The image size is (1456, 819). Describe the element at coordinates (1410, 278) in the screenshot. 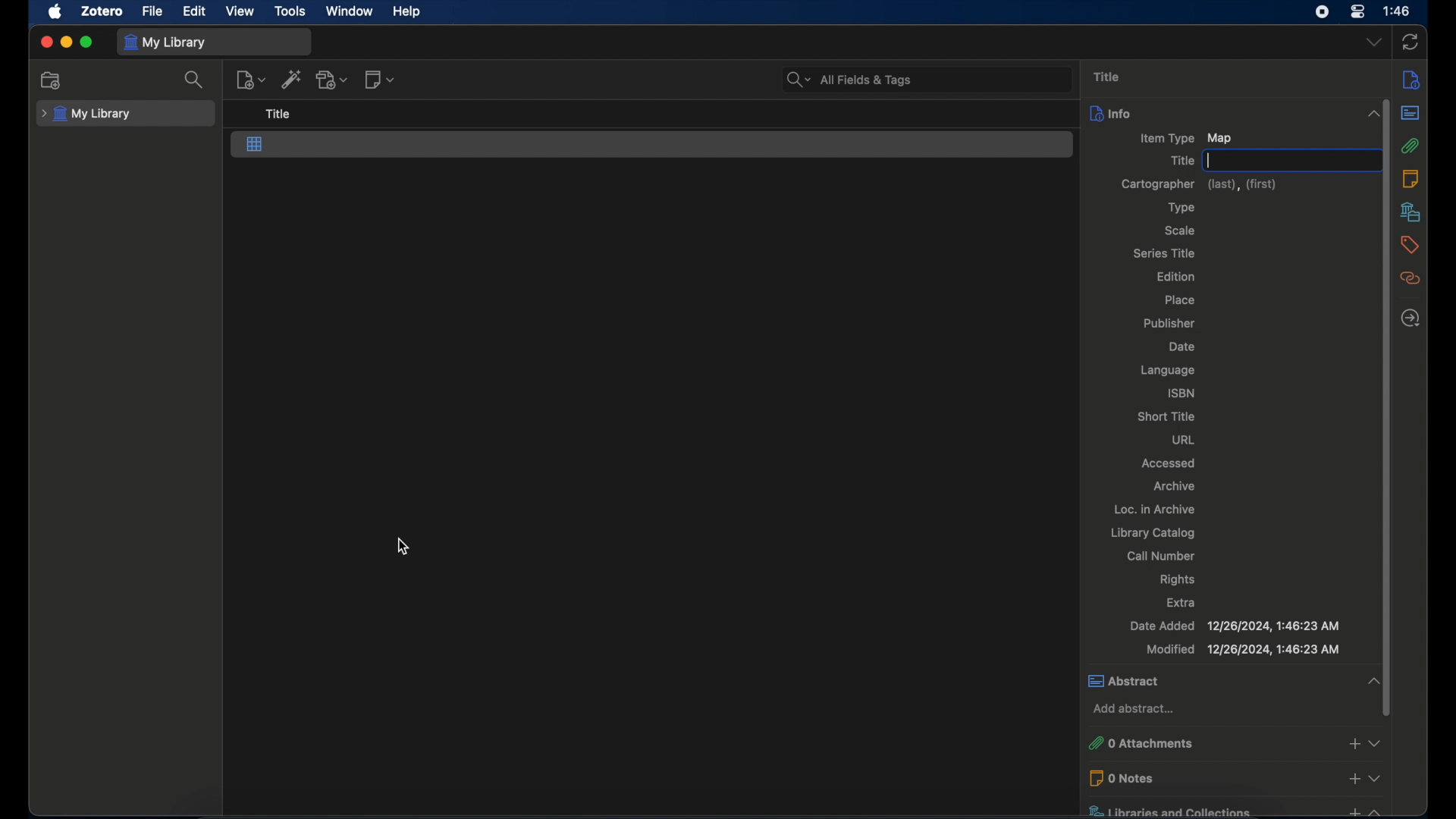

I see `related` at that location.